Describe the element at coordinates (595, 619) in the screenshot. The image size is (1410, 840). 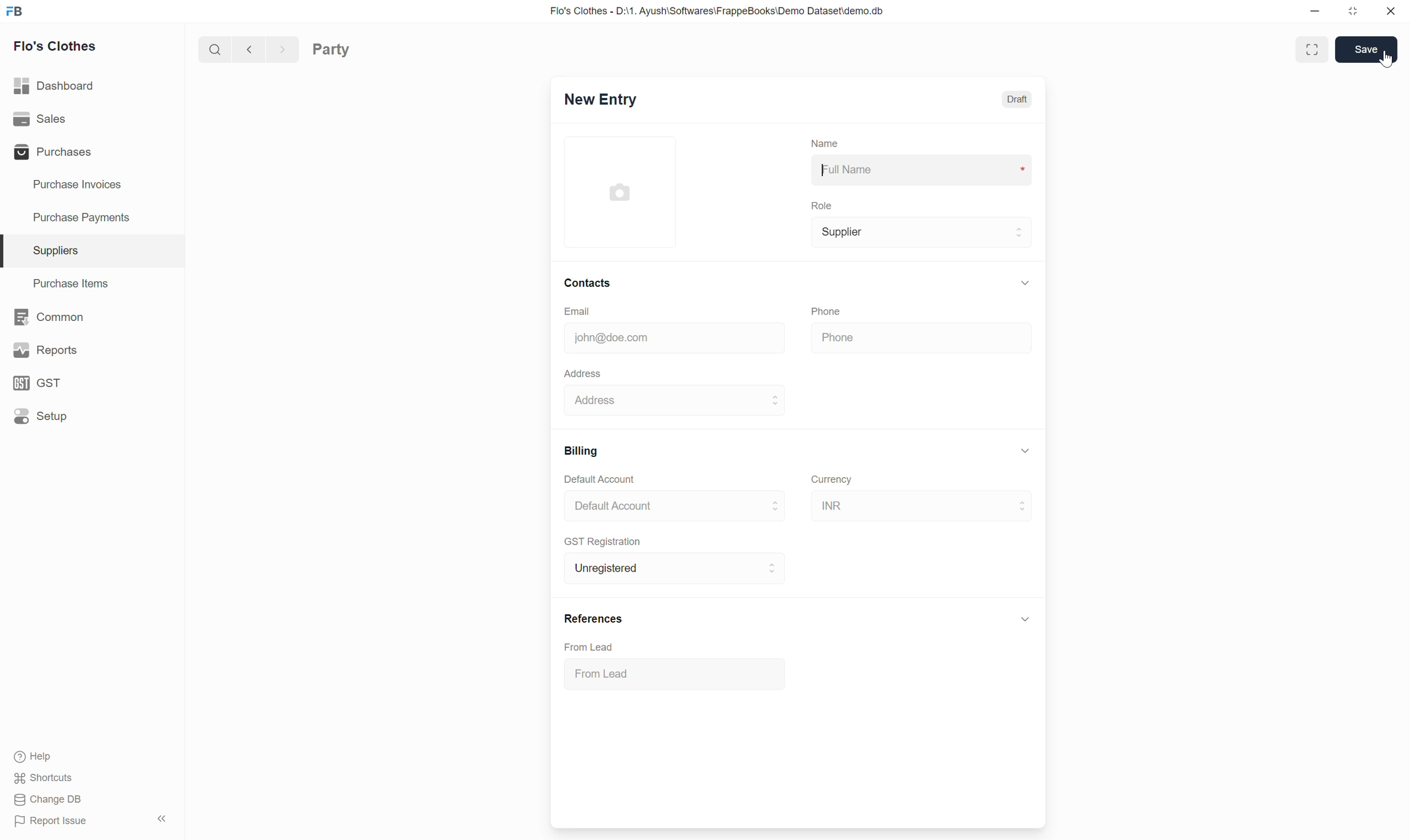
I see `References` at that location.